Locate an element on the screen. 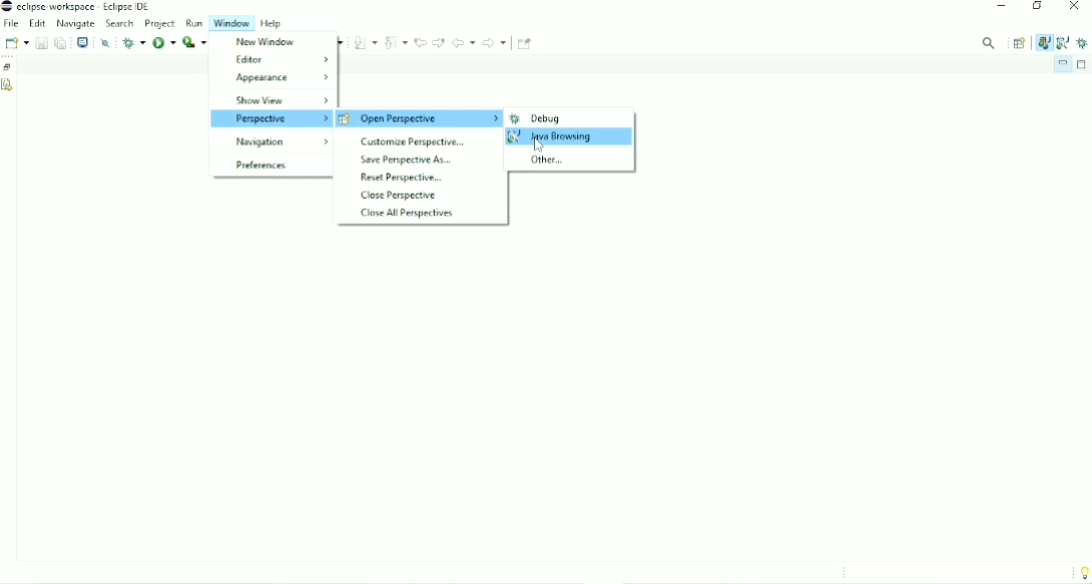  Restore is located at coordinates (9, 67).